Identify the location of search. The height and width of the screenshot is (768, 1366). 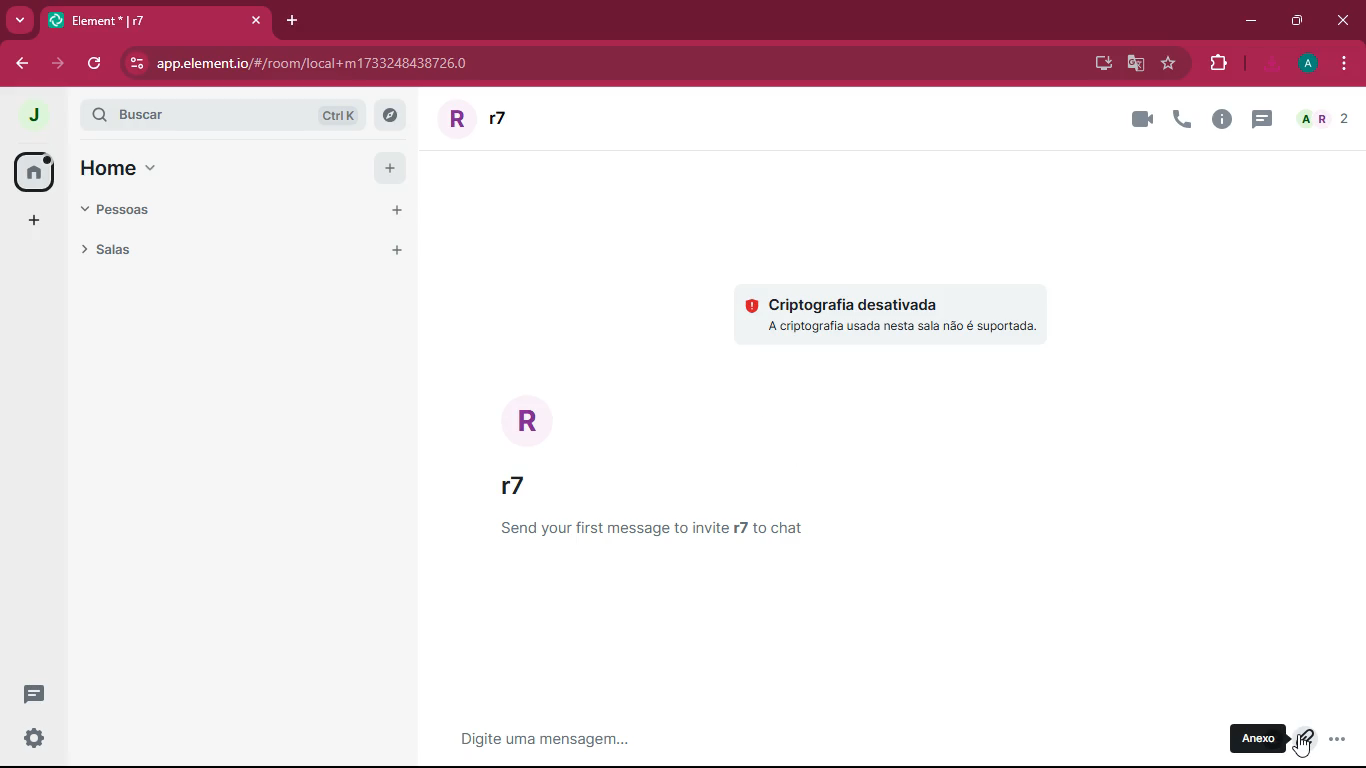
(242, 115).